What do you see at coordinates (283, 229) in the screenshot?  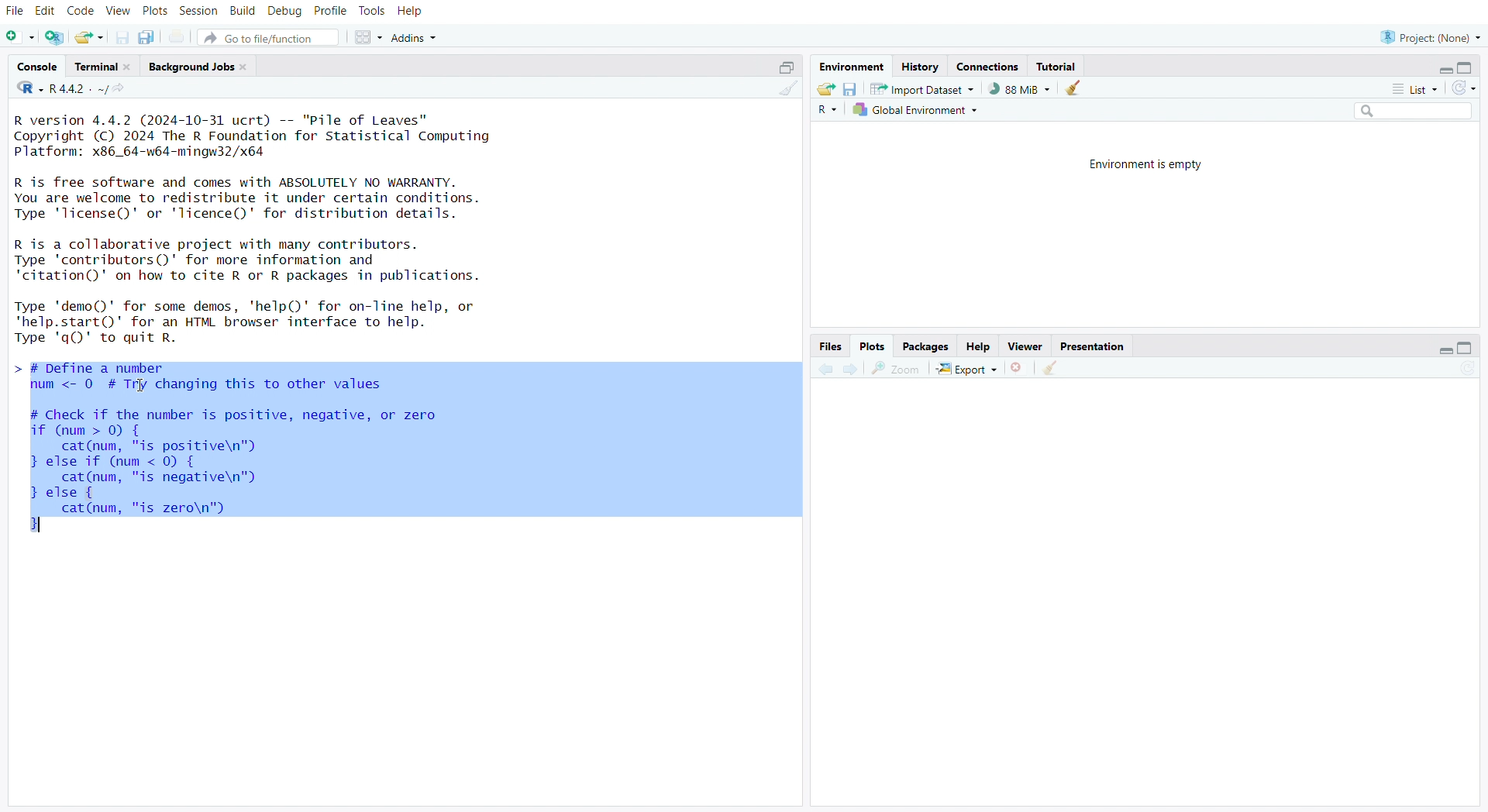 I see `R version 4.4.2 (2024-10-31 ucrt) -- "Pile of Leaves"
Copyright (C) 2024 The R Foundation for Statistical Computing
Platform: x86_64-w64-mingw32/x64

R is free software and comes with ABSOLUTELY NO WARRANTY.
You are welcome to redistribute it under certain conditions.
Type 'license()' or 'licence()' for distribution details.

R is a collaborative project with many contributors.

Type 'contributors()' for more information and

"citation()' on how to cite R or R packages in publications.
Type 'demo()' for some demos, 'help()' for on-line help, or
'help.start()' for an HTML browser interface to help.

Type 'qQ)' to quit R.

>` at bounding box center [283, 229].